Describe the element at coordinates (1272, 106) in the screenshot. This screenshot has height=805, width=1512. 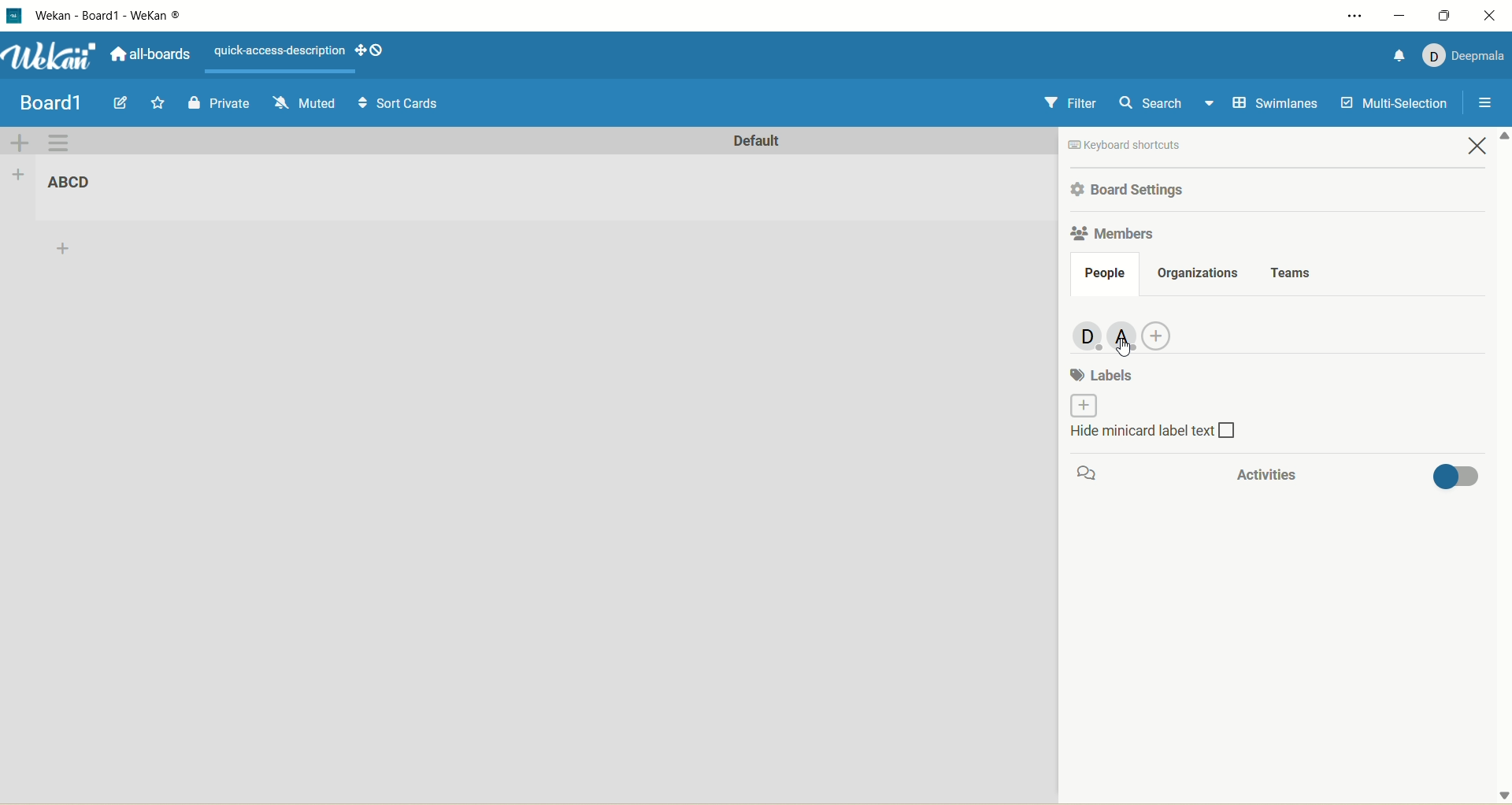
I see `swimlanes` at that location.